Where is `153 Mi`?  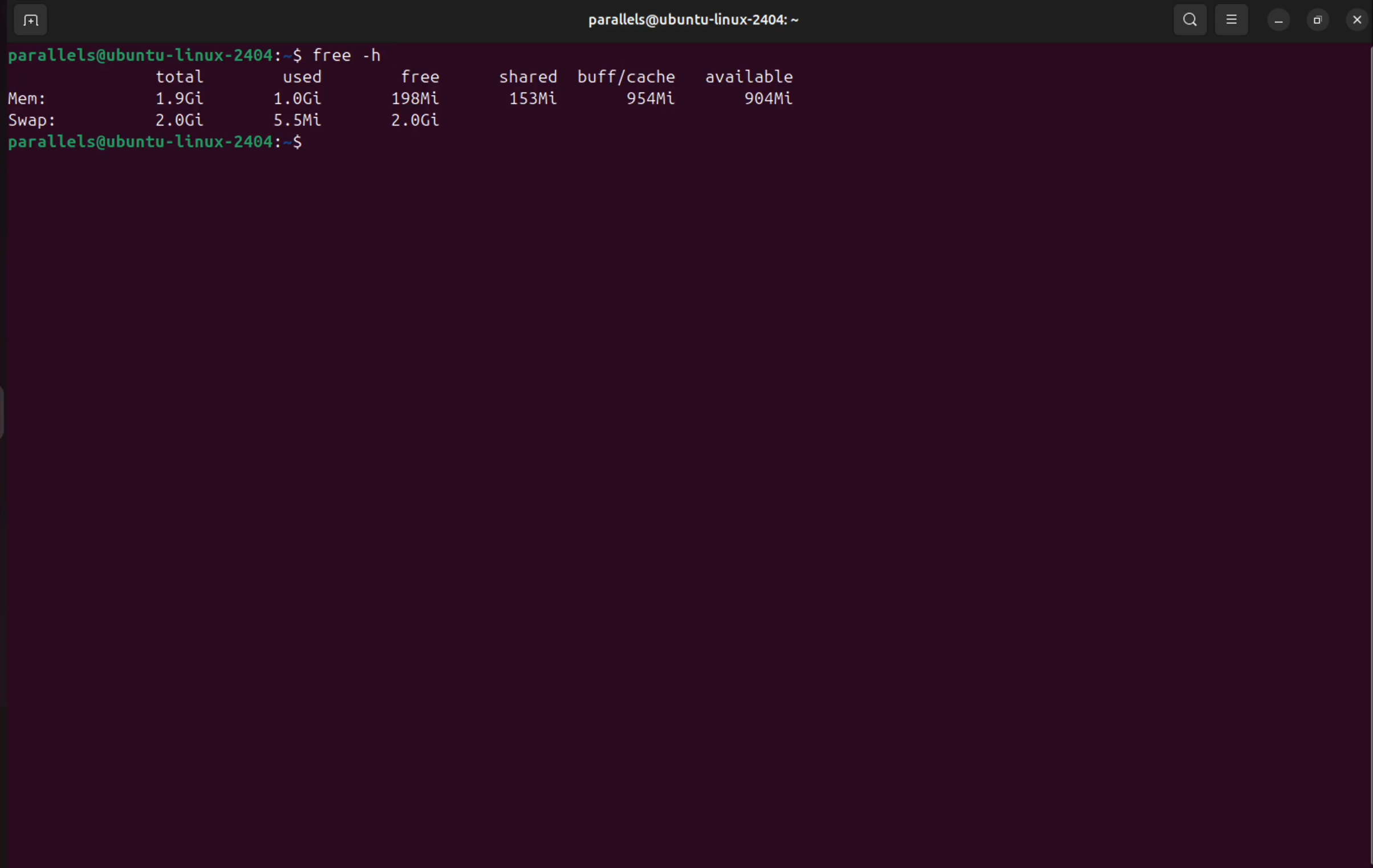
153 Mi is located at coordinates (537, 100).